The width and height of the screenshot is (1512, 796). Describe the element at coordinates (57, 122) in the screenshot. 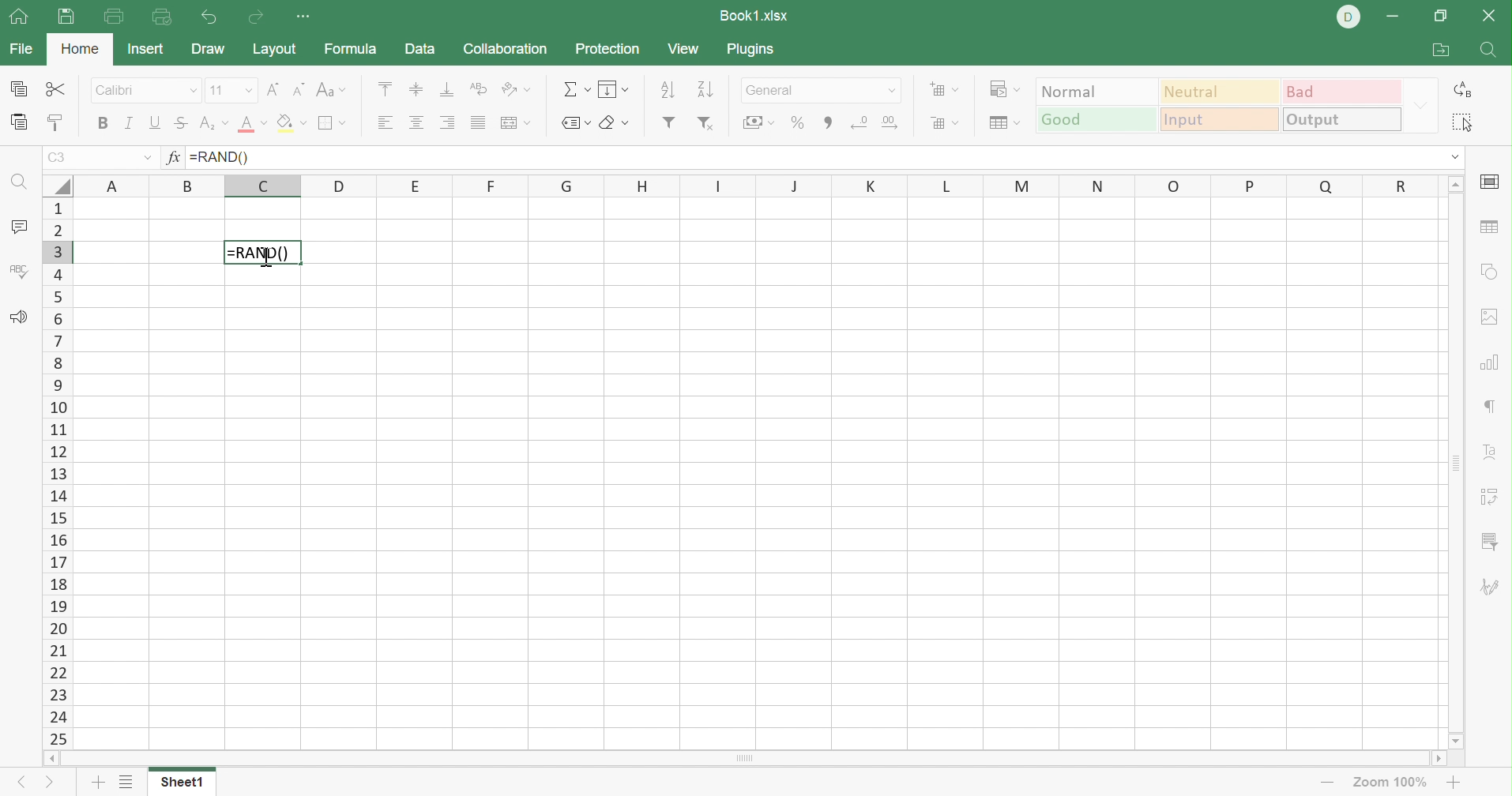

I see `Copy style` at that location.